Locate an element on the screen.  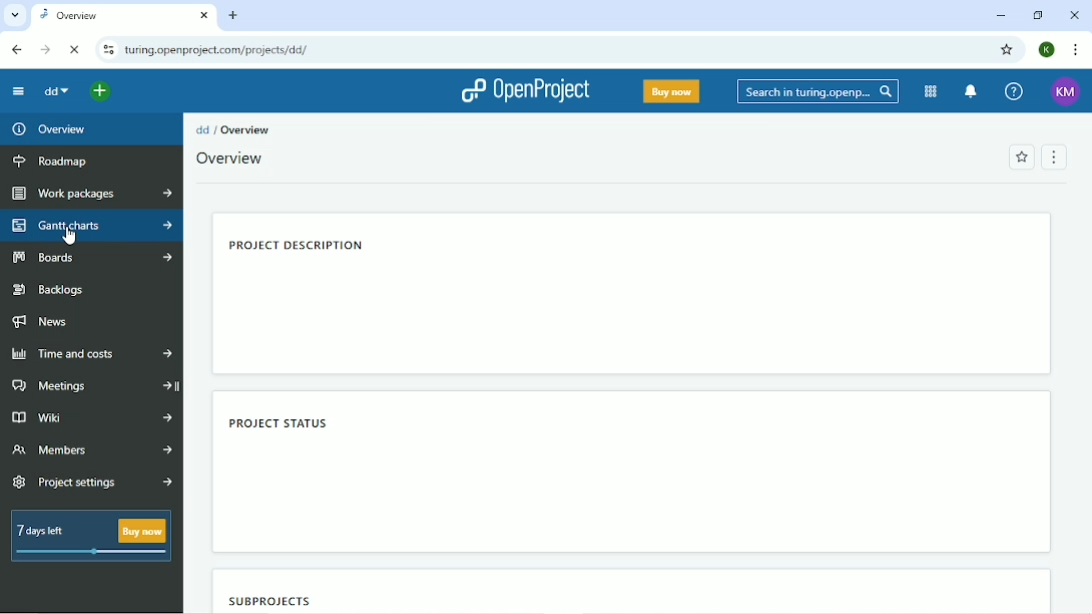
New tab is located at coordinates (233, 15).